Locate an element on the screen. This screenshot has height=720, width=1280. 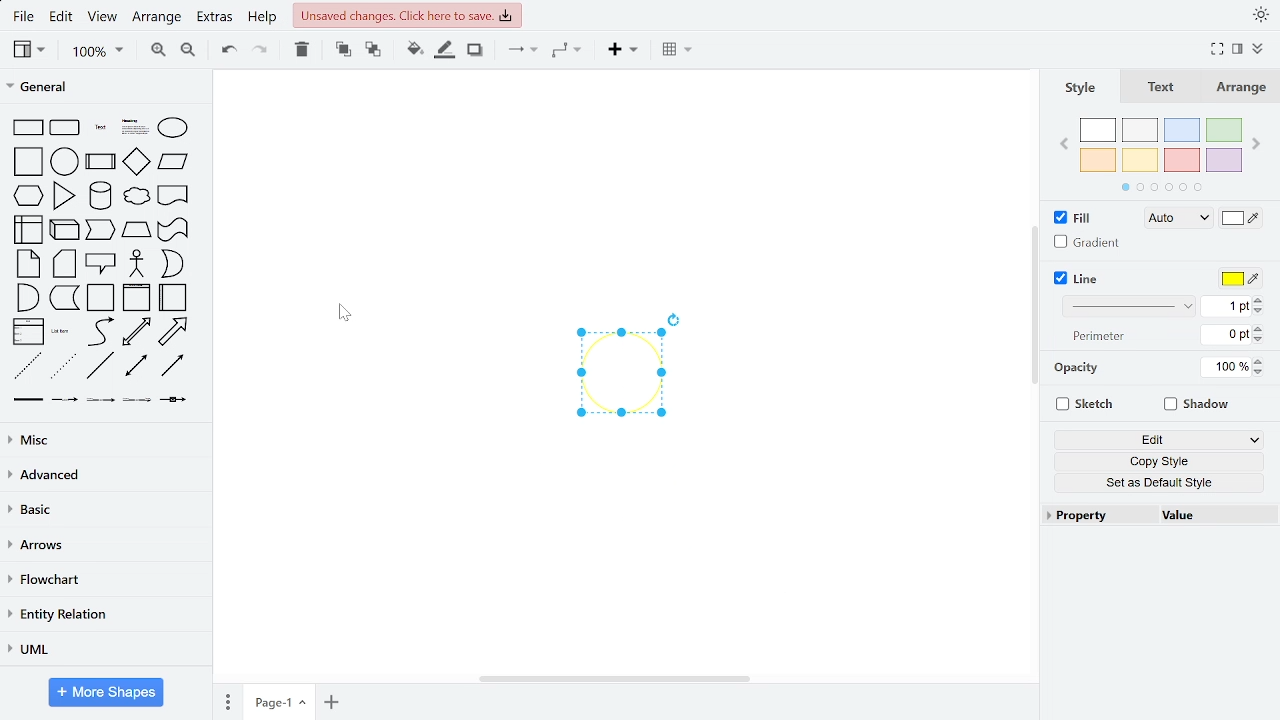
heading is located at coordinates (134, 127).